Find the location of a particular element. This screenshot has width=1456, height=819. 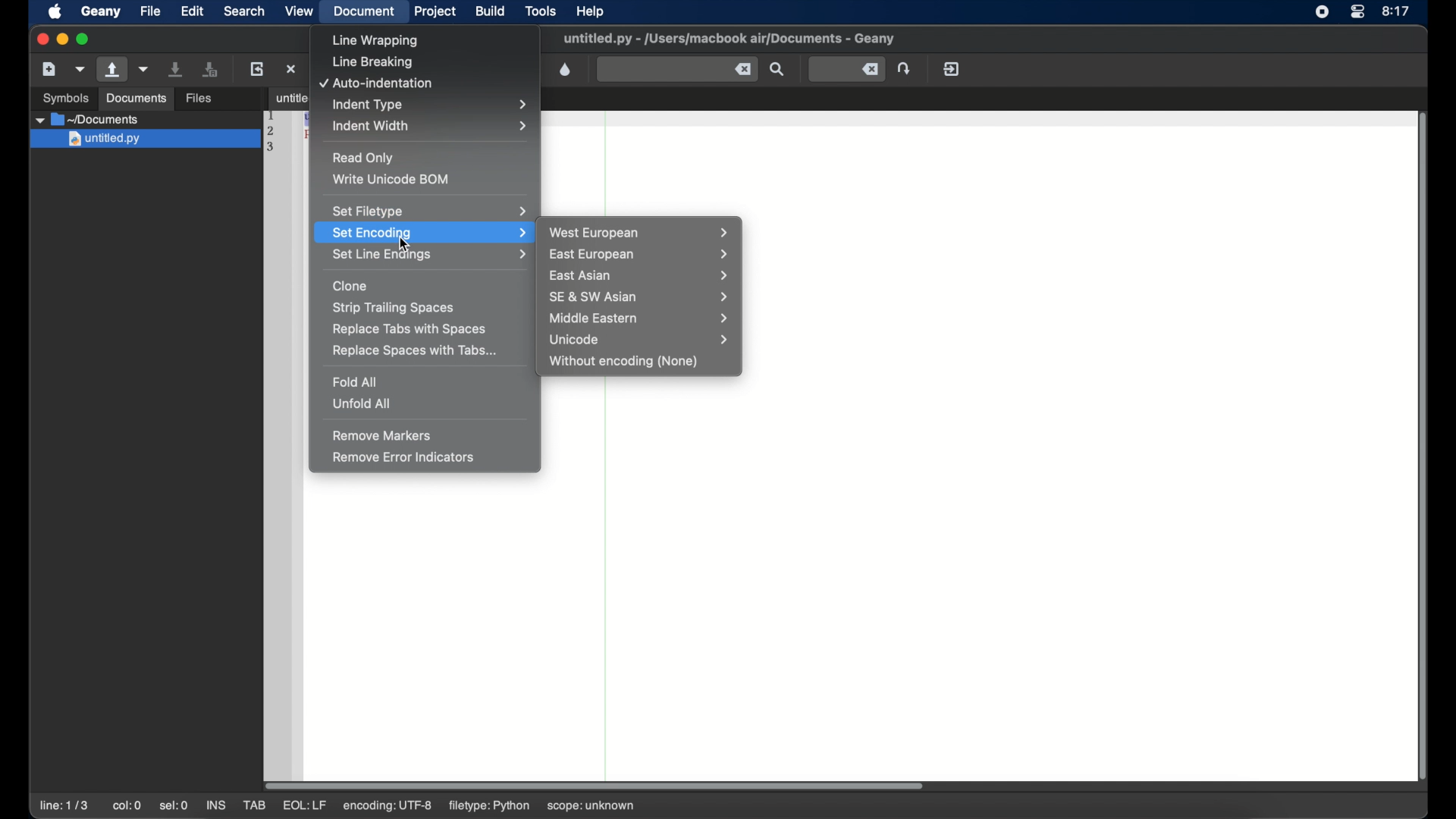

search is located at coordinates (244, 11).